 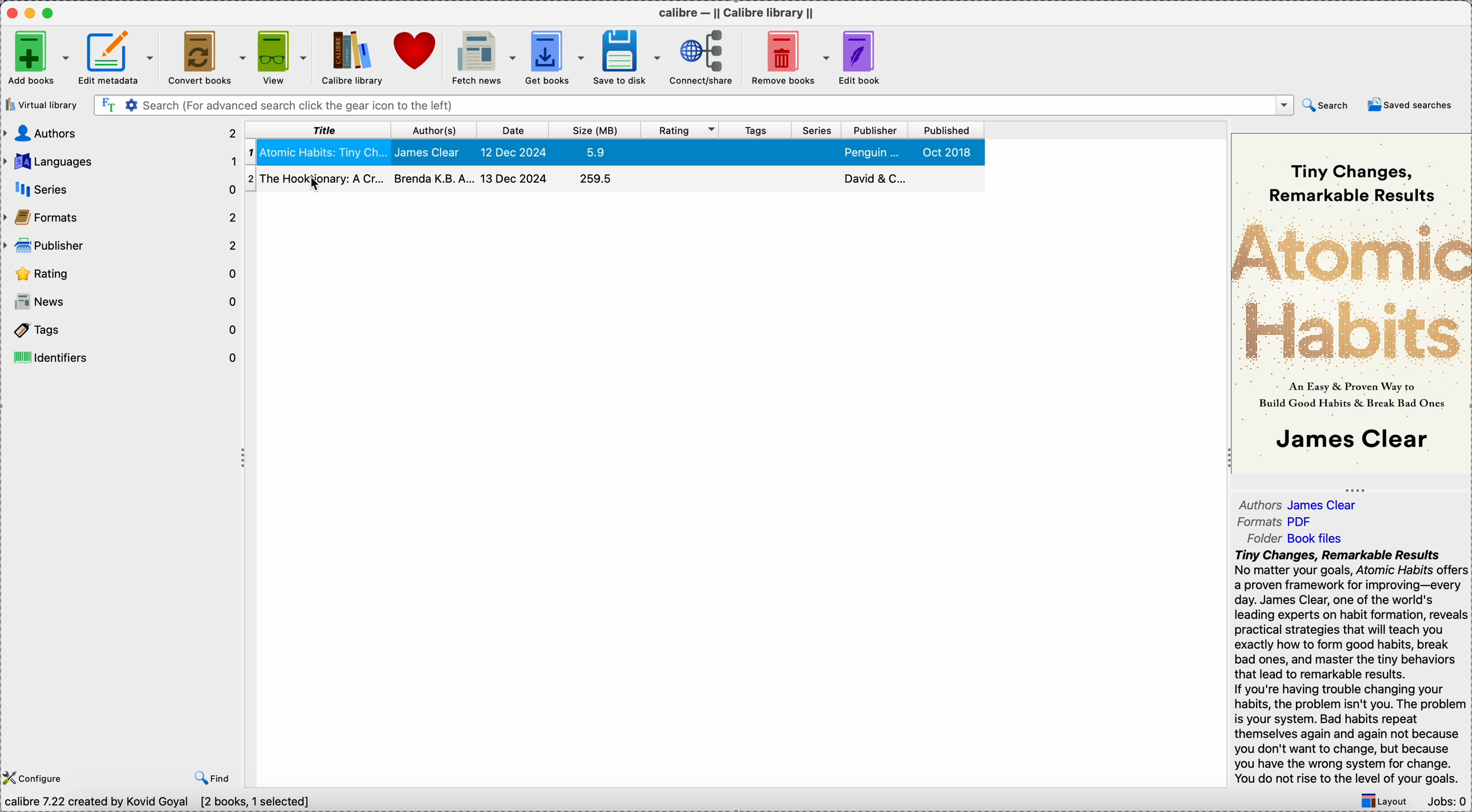 I want to click on remove books, so click(x=789, y=57).